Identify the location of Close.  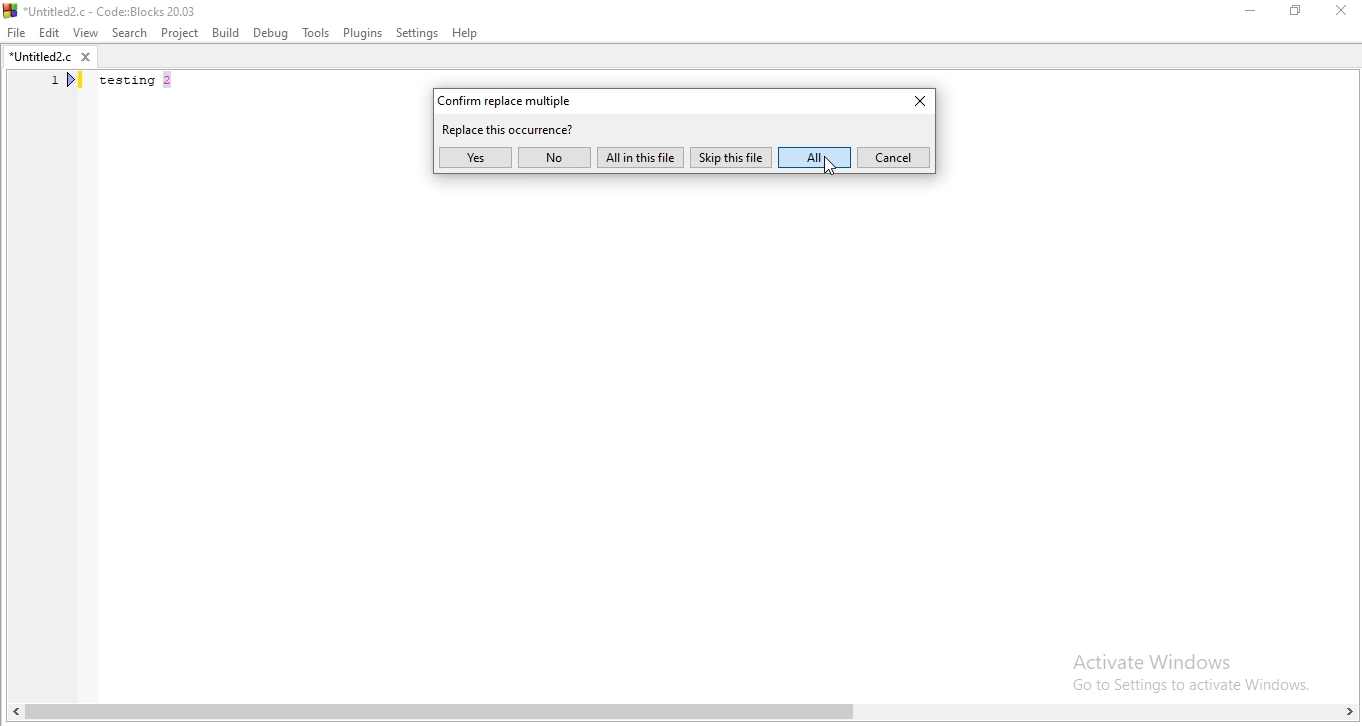
(1343, 12).